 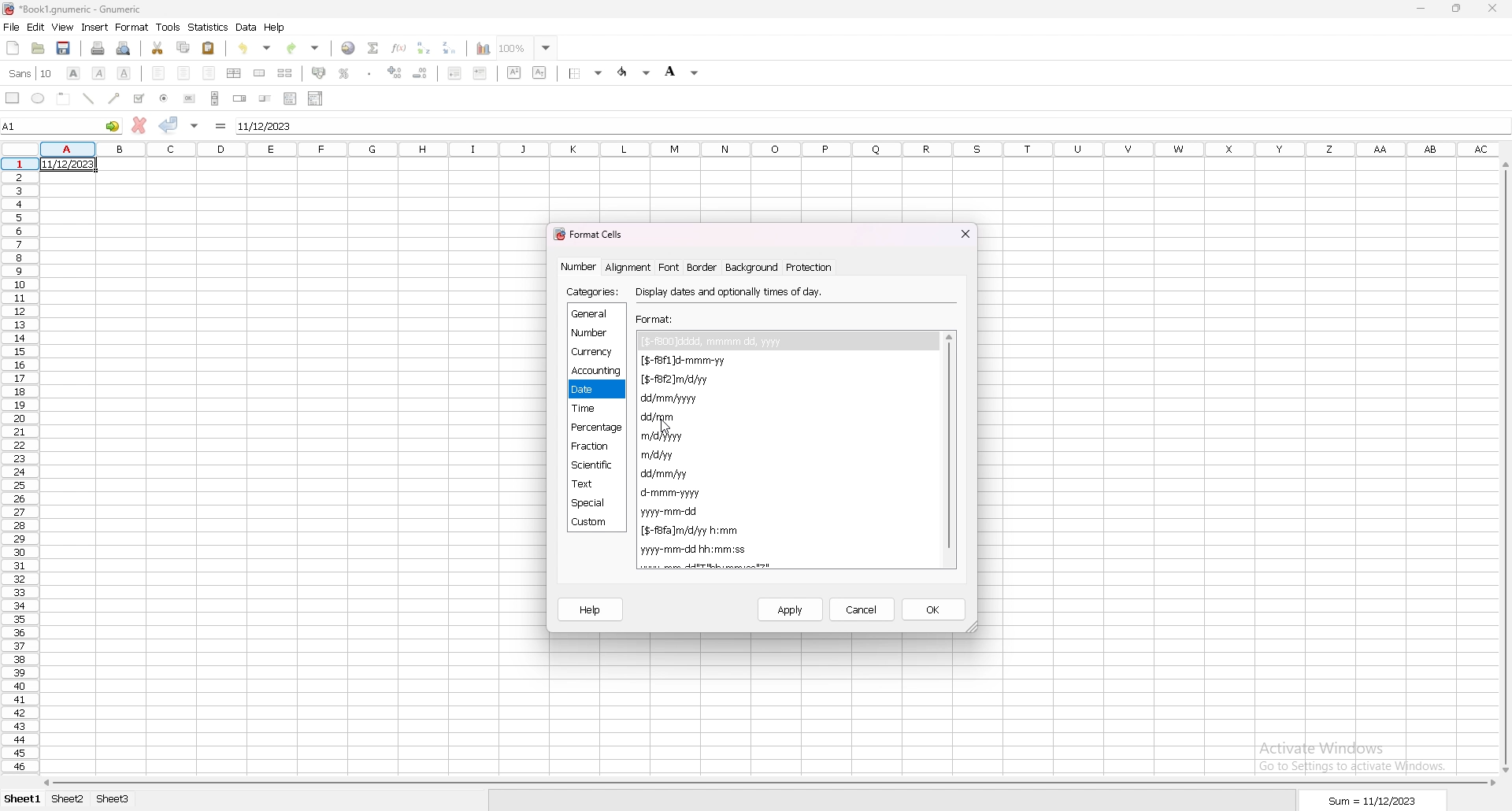 I want to click on yyyy-mm-dd, so click(x=674, y=511).